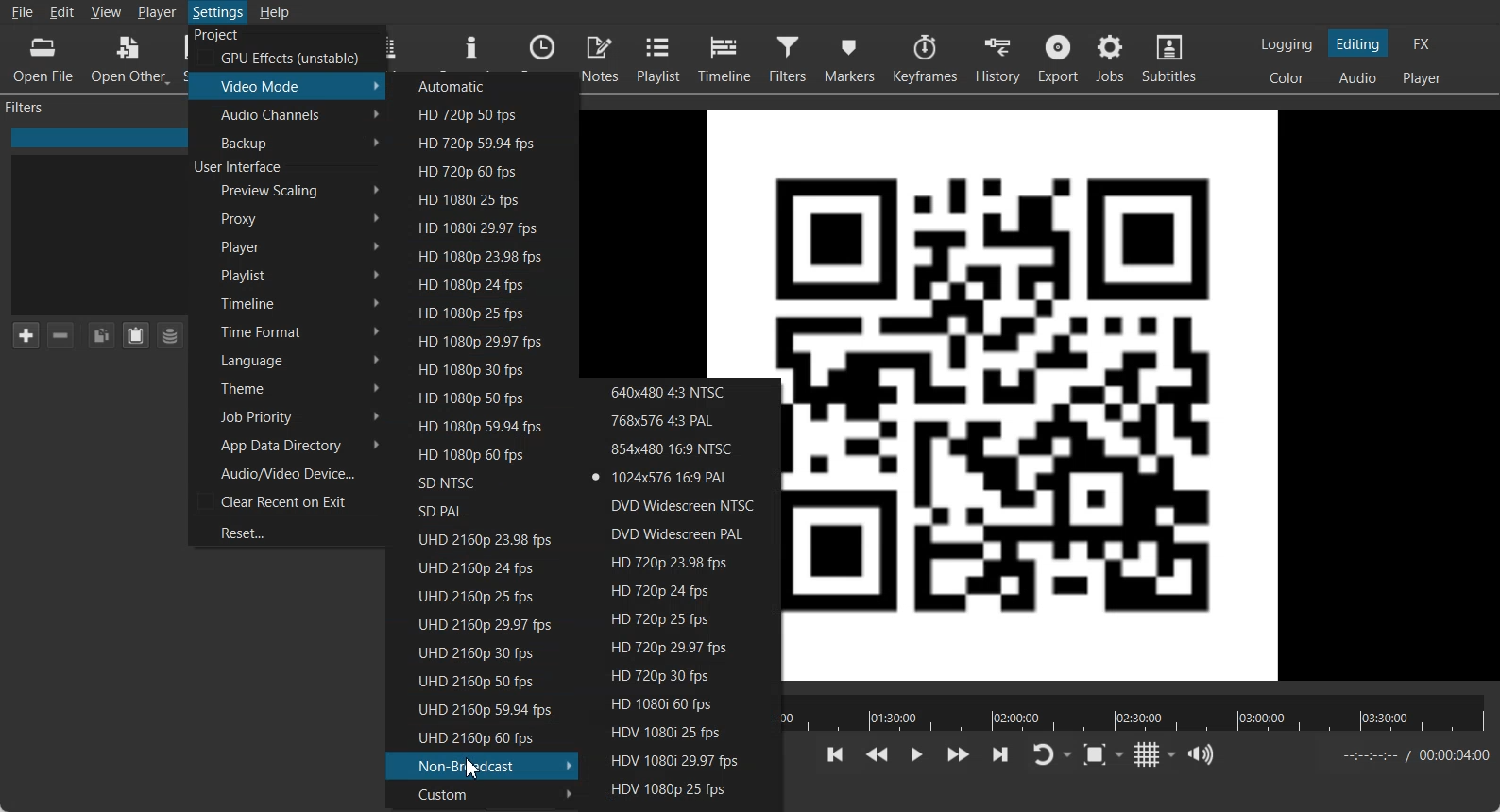 This screenshot has width=1500, height=812. Describe the element at coordinates (287, 301) in the screenshot. I see `Timeline` at that location.